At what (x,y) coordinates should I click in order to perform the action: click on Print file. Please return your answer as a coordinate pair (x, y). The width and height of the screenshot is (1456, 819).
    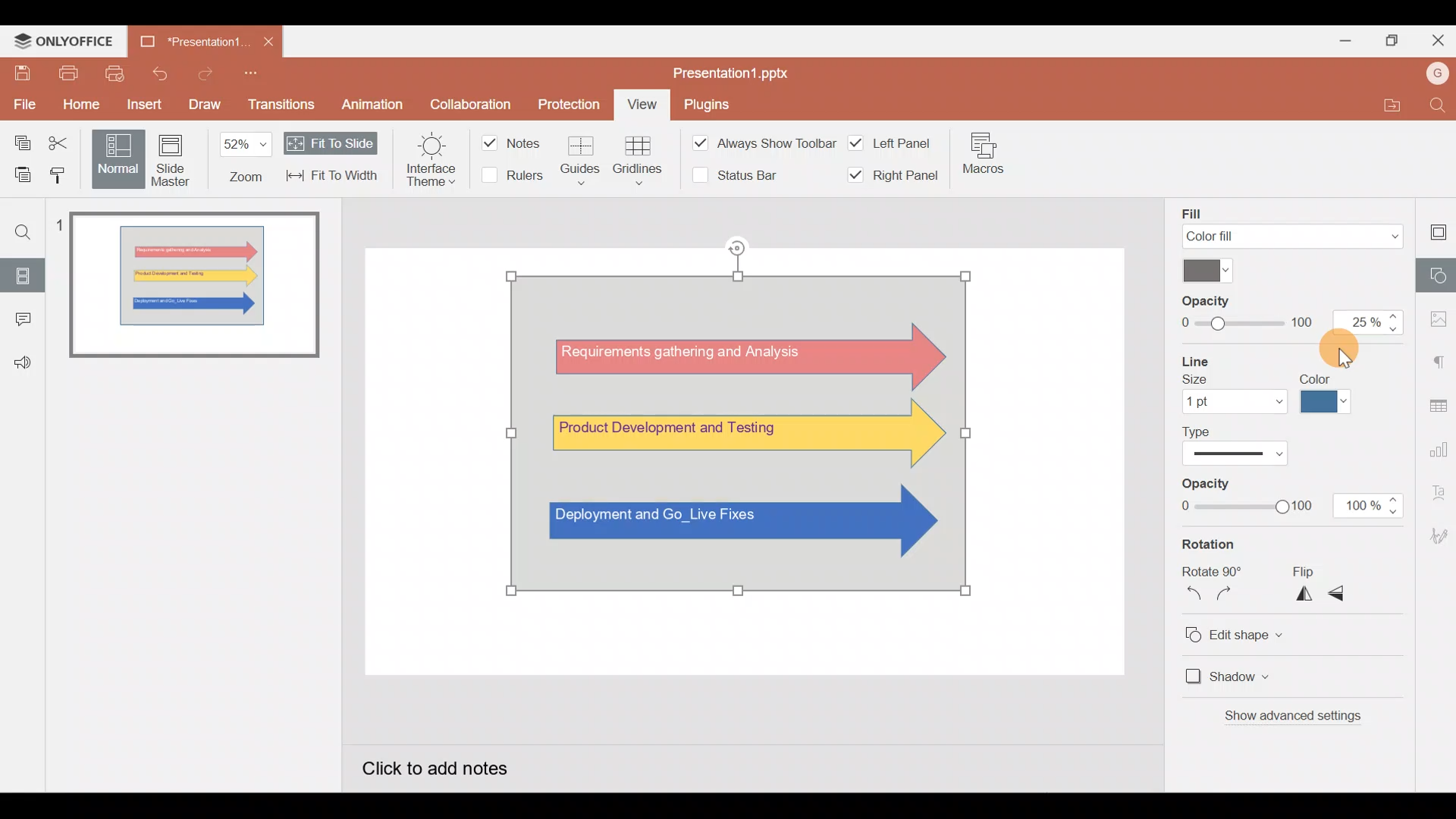
    Looking at the image, I should click on (64, 74).